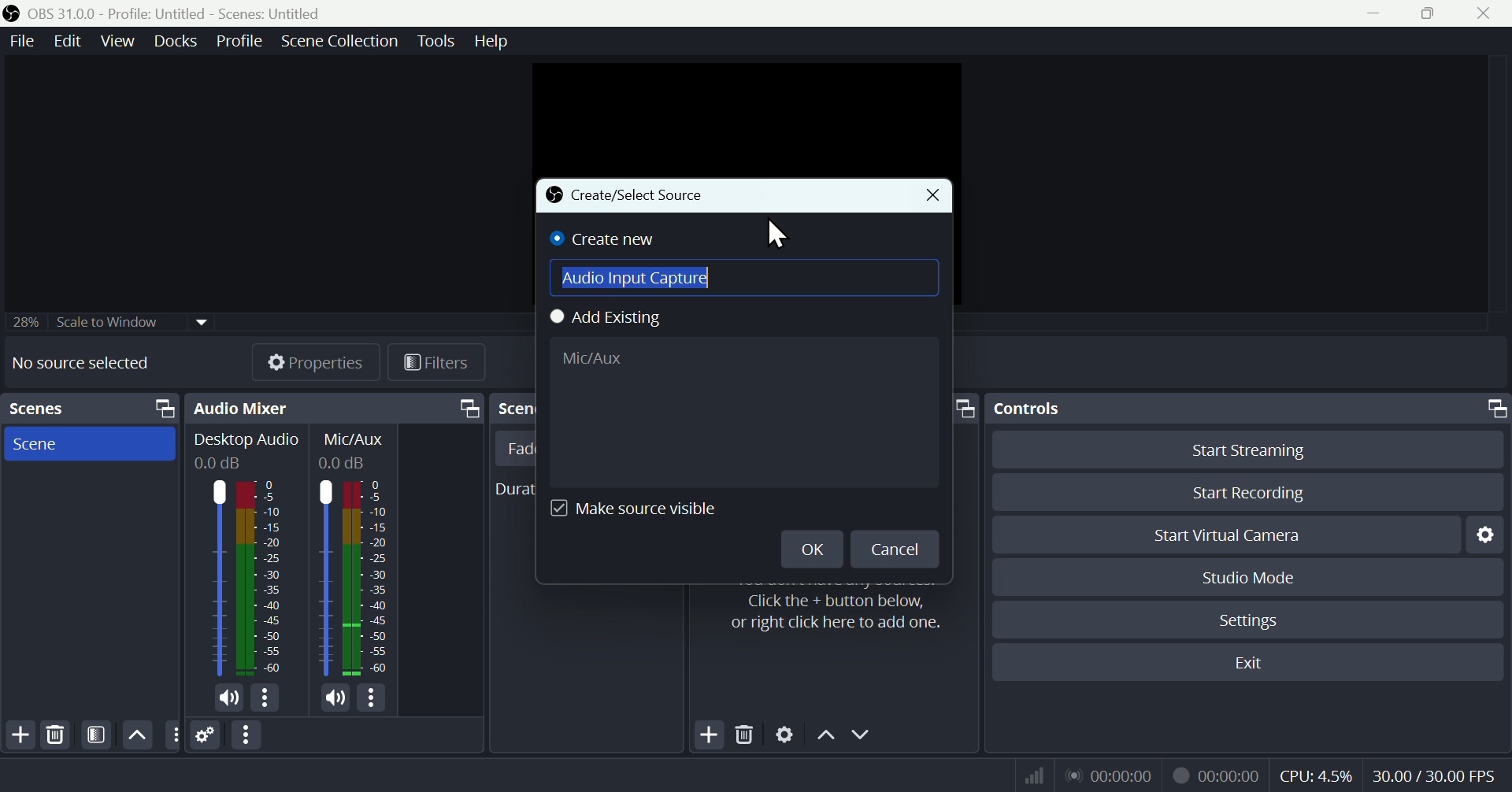  I want to click on Close, so click(1482, 13).